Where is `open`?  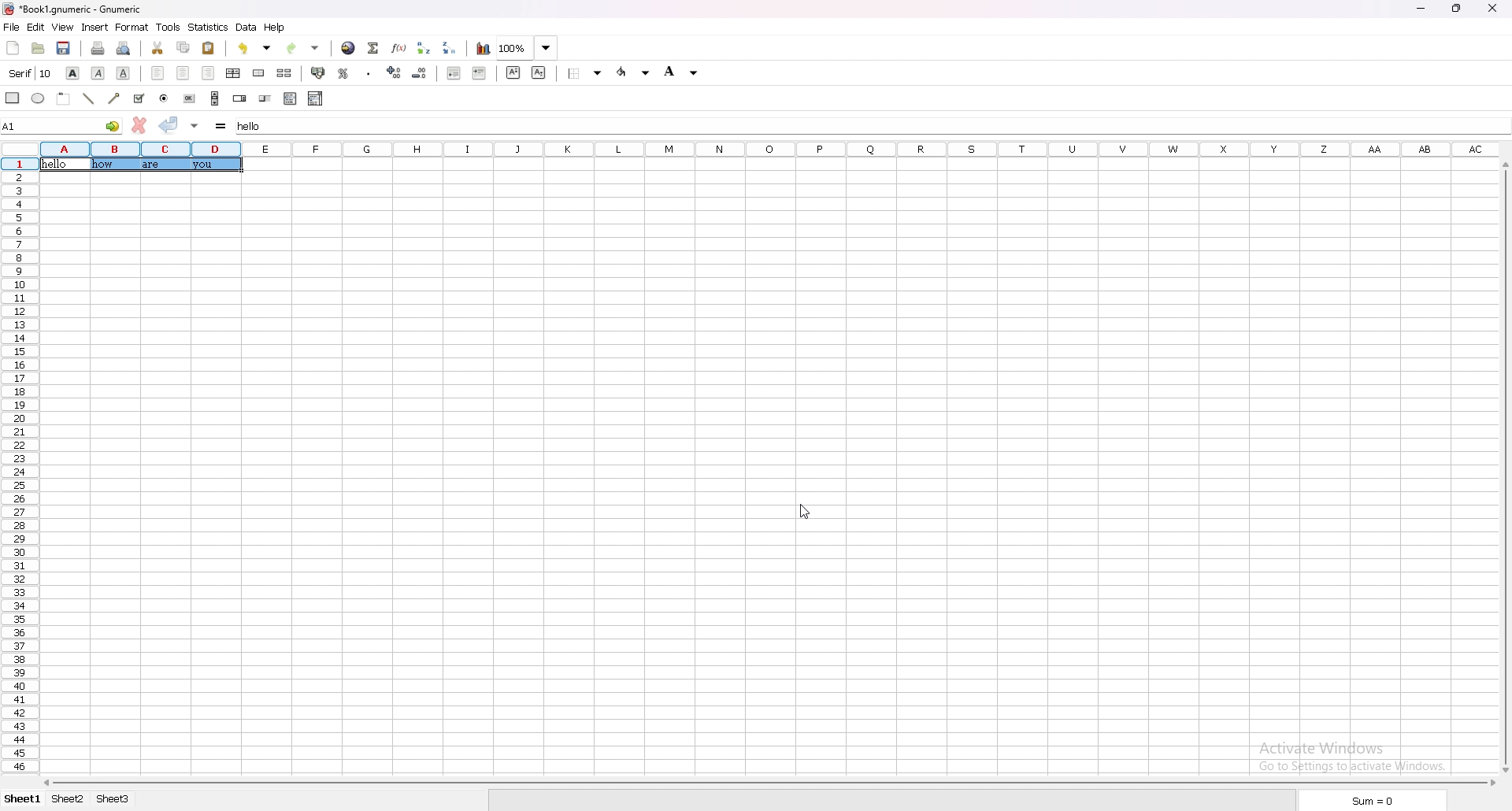 open is located at coordinates (38, 47).